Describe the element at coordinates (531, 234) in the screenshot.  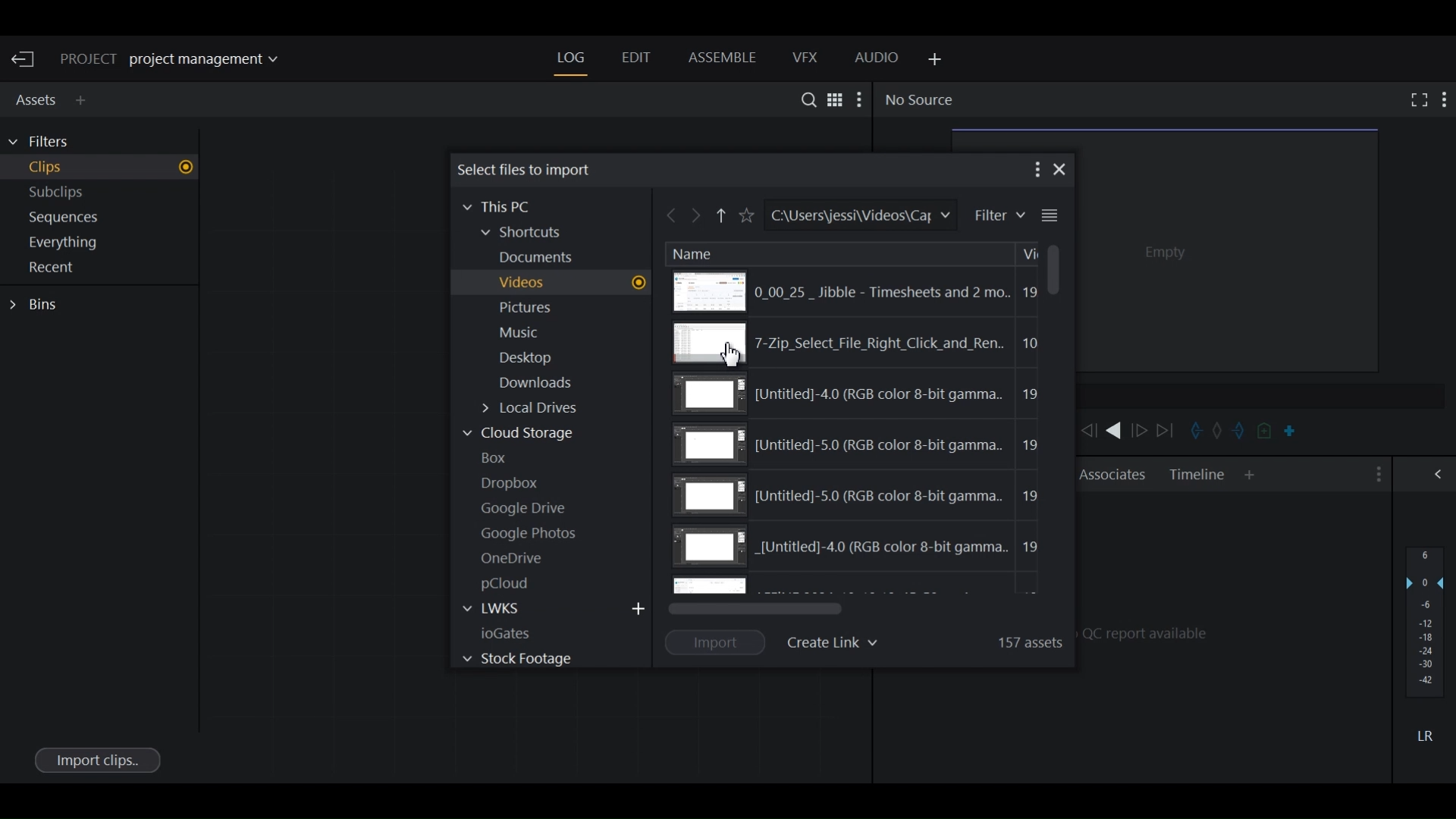
I see `Shortcuts` at that location.